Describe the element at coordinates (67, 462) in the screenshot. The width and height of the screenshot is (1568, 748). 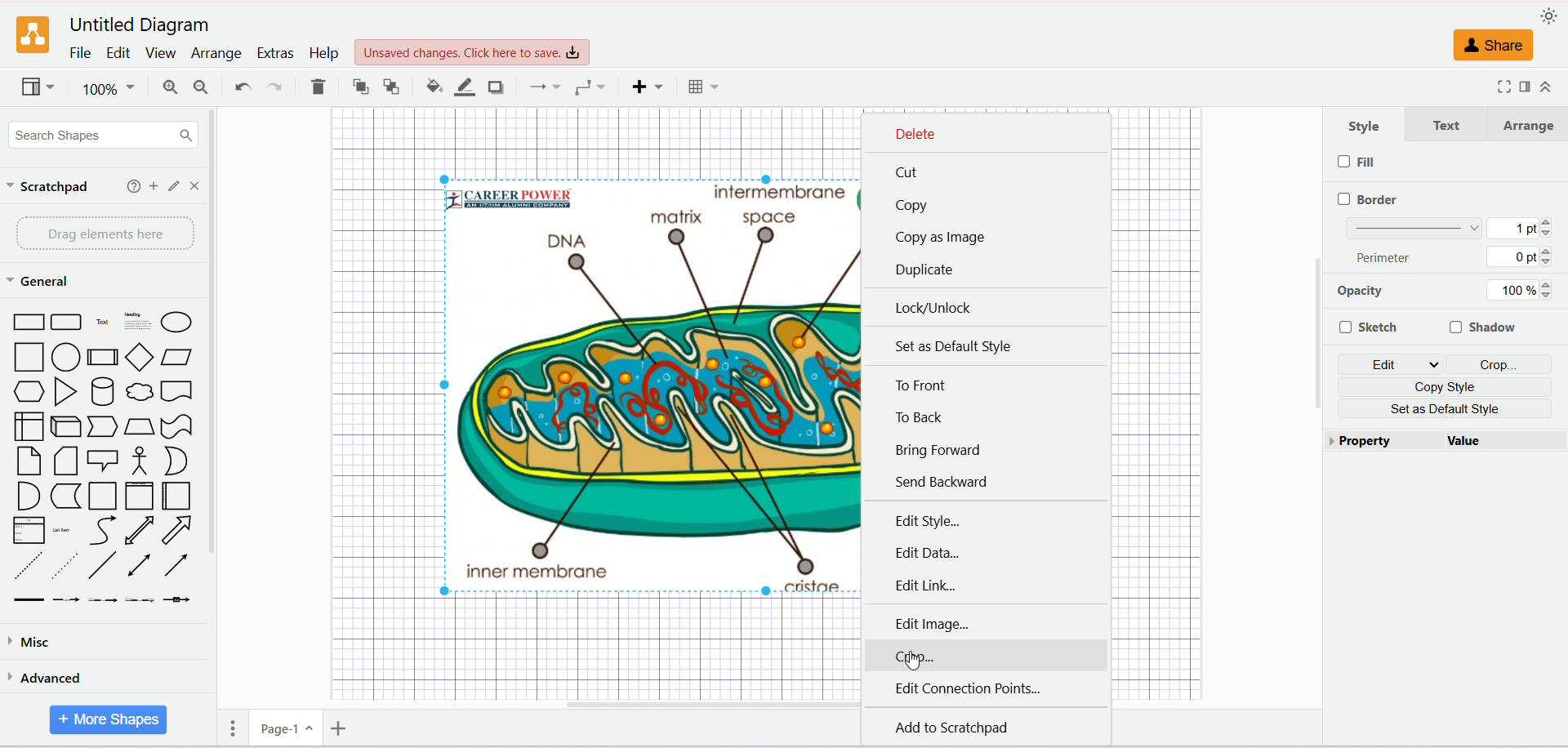
I see `Note` at that location.